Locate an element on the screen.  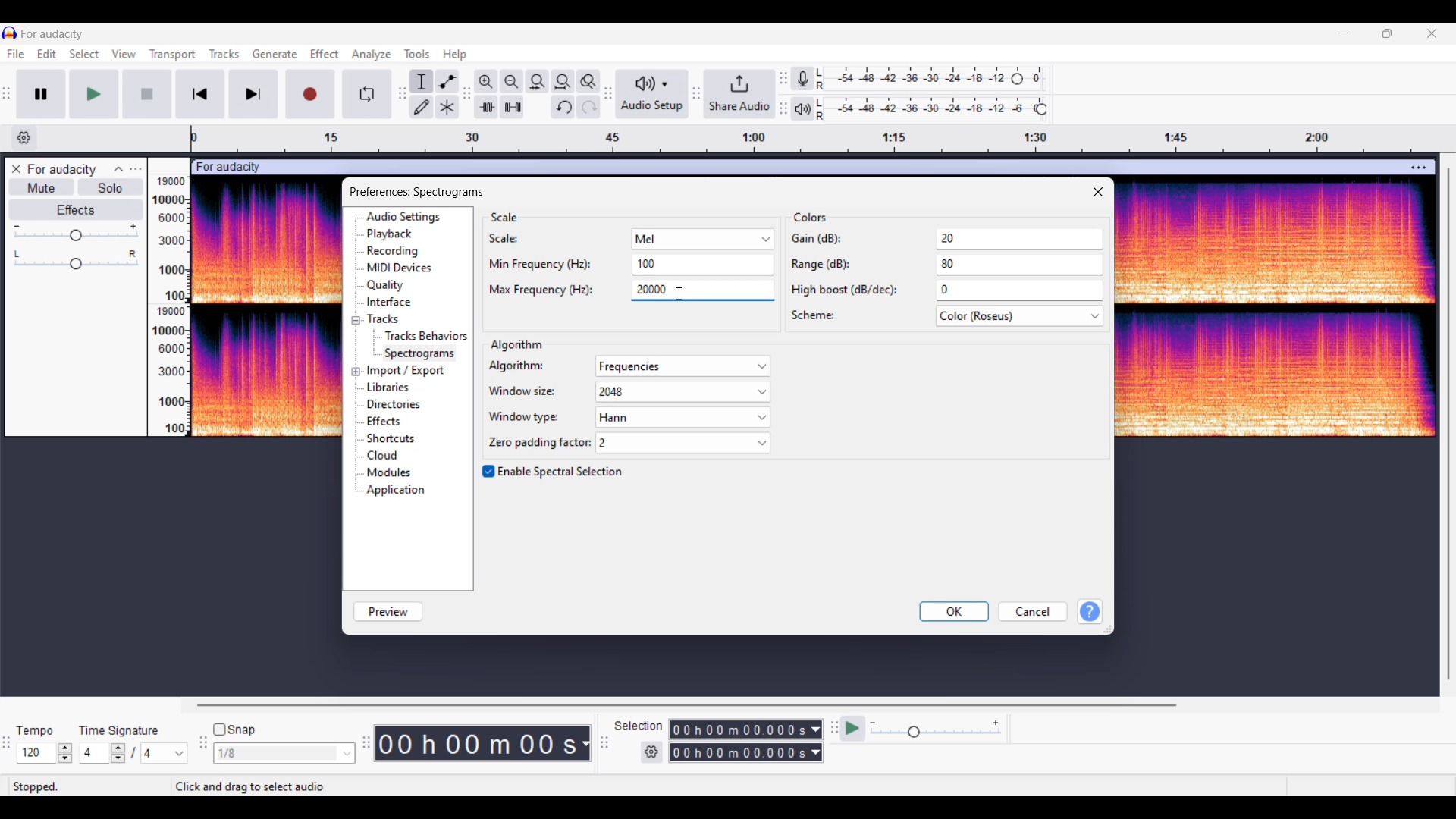
Tools menu is located at coordinates (417, 54).